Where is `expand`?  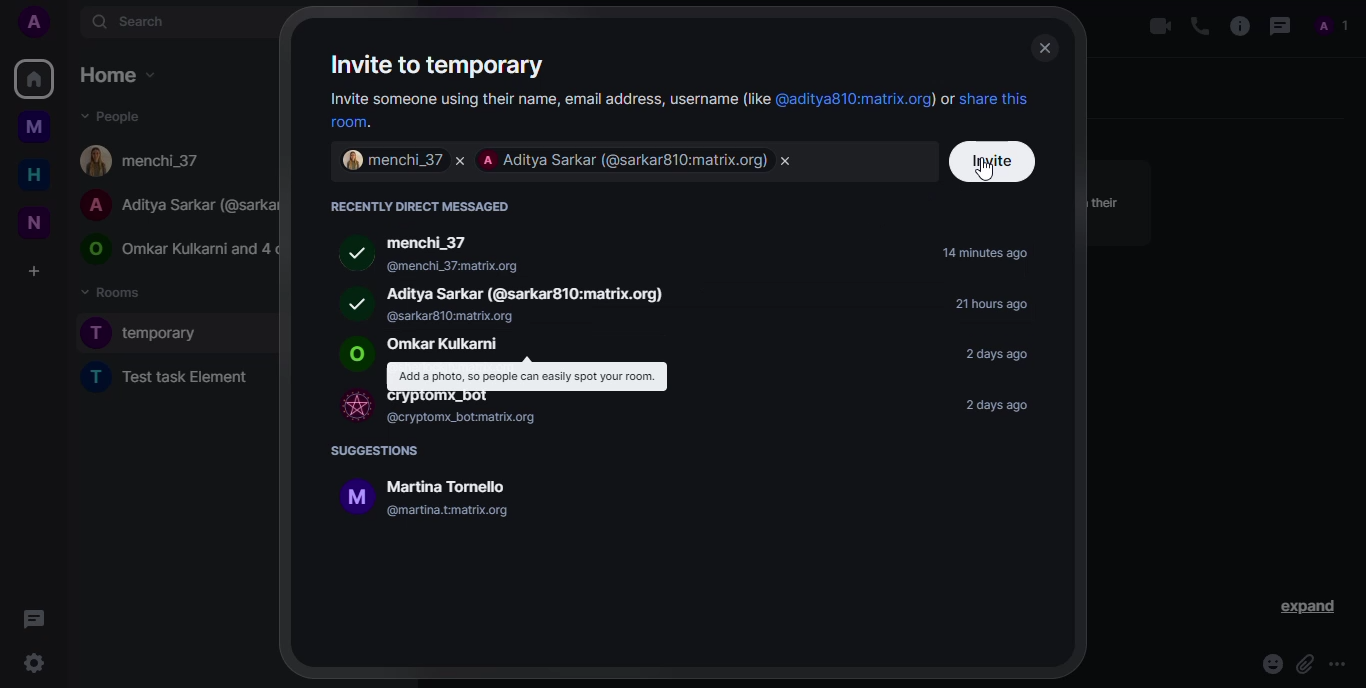 expand is located at coordinates (1305, 607).